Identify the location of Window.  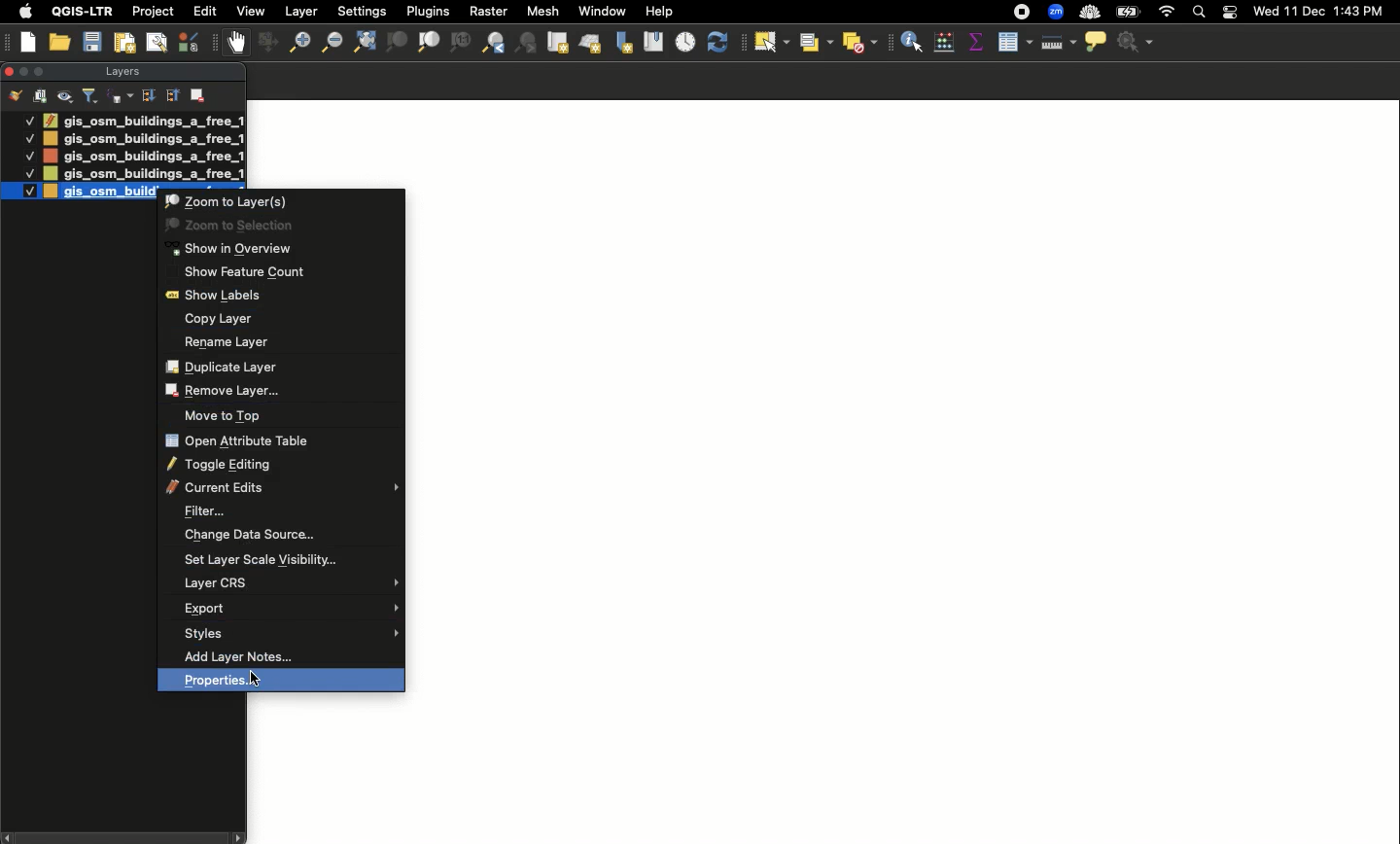
(602, 11).